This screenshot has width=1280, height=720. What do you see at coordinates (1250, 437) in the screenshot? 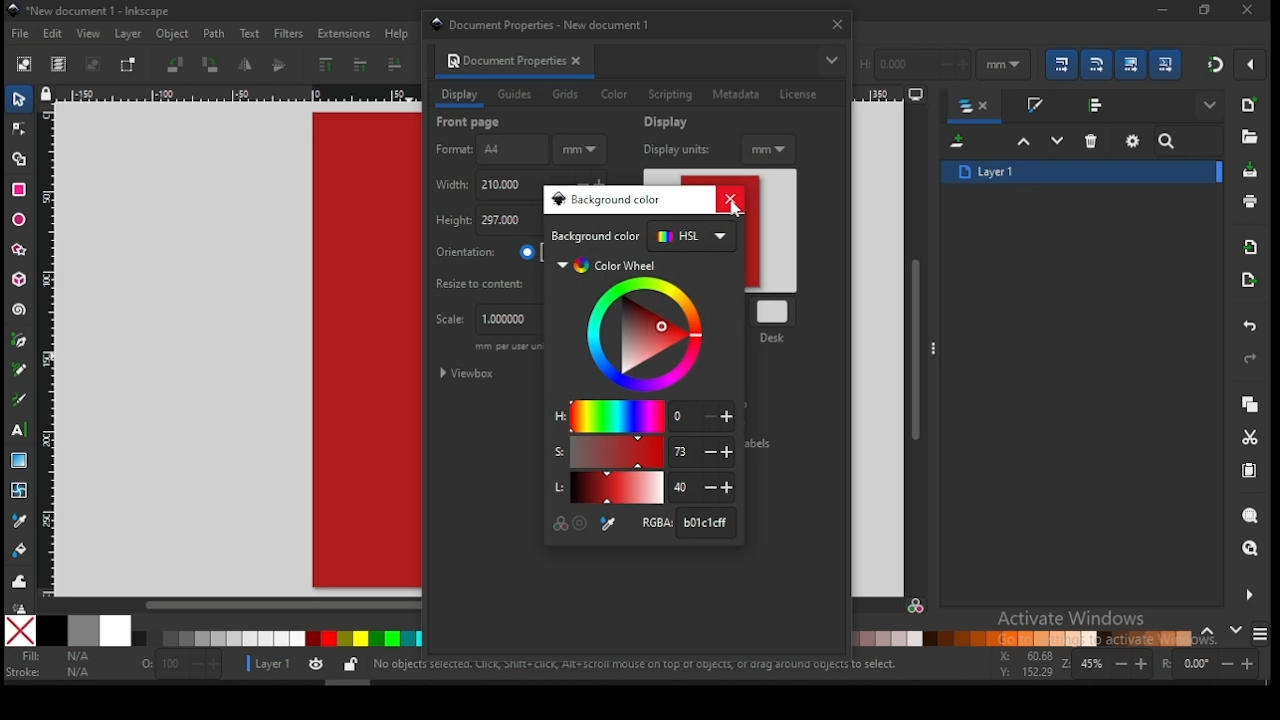
I see `cut` at bounding box center [1250, 437].